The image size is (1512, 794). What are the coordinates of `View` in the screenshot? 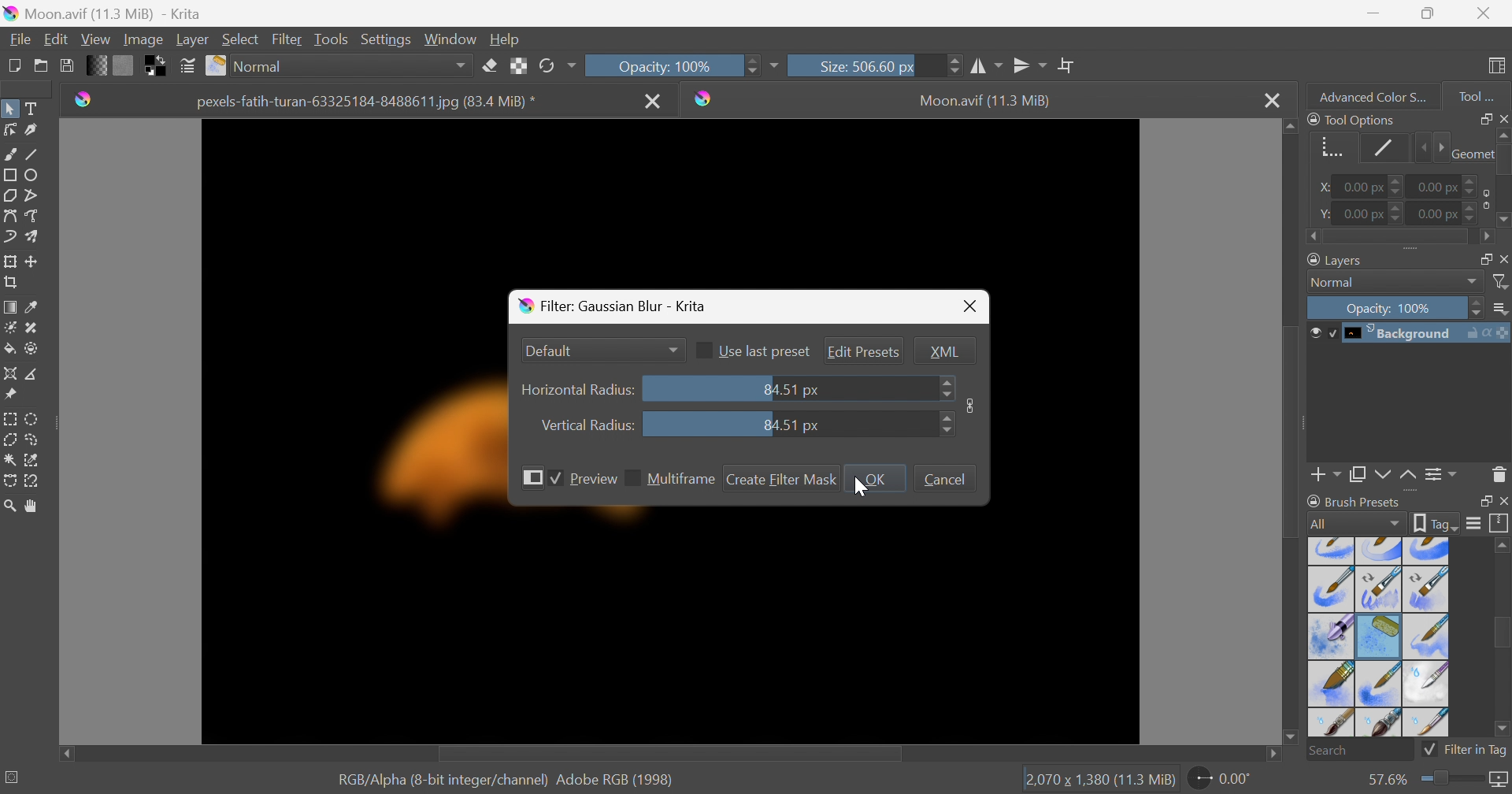 It's located at (95, 40).